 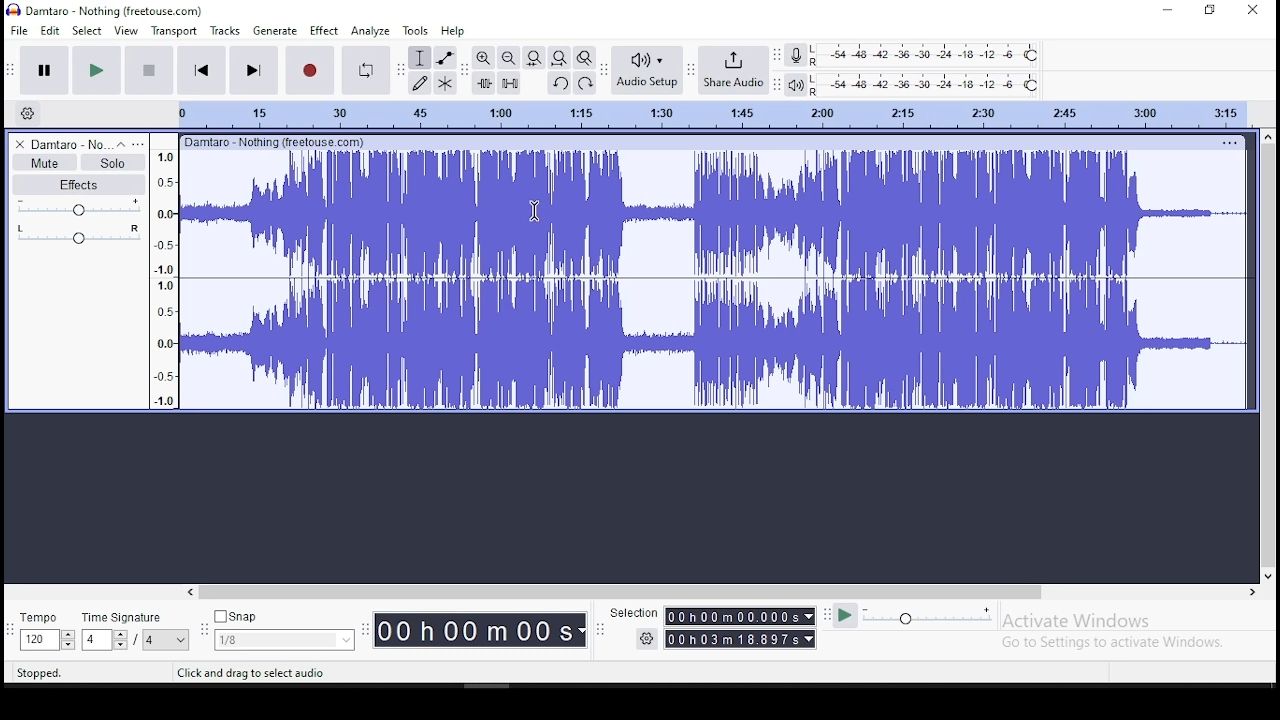 What do you see at coordinates (81, 184) in the screenshot?
I see `effects` at bounding box center [81, 184].